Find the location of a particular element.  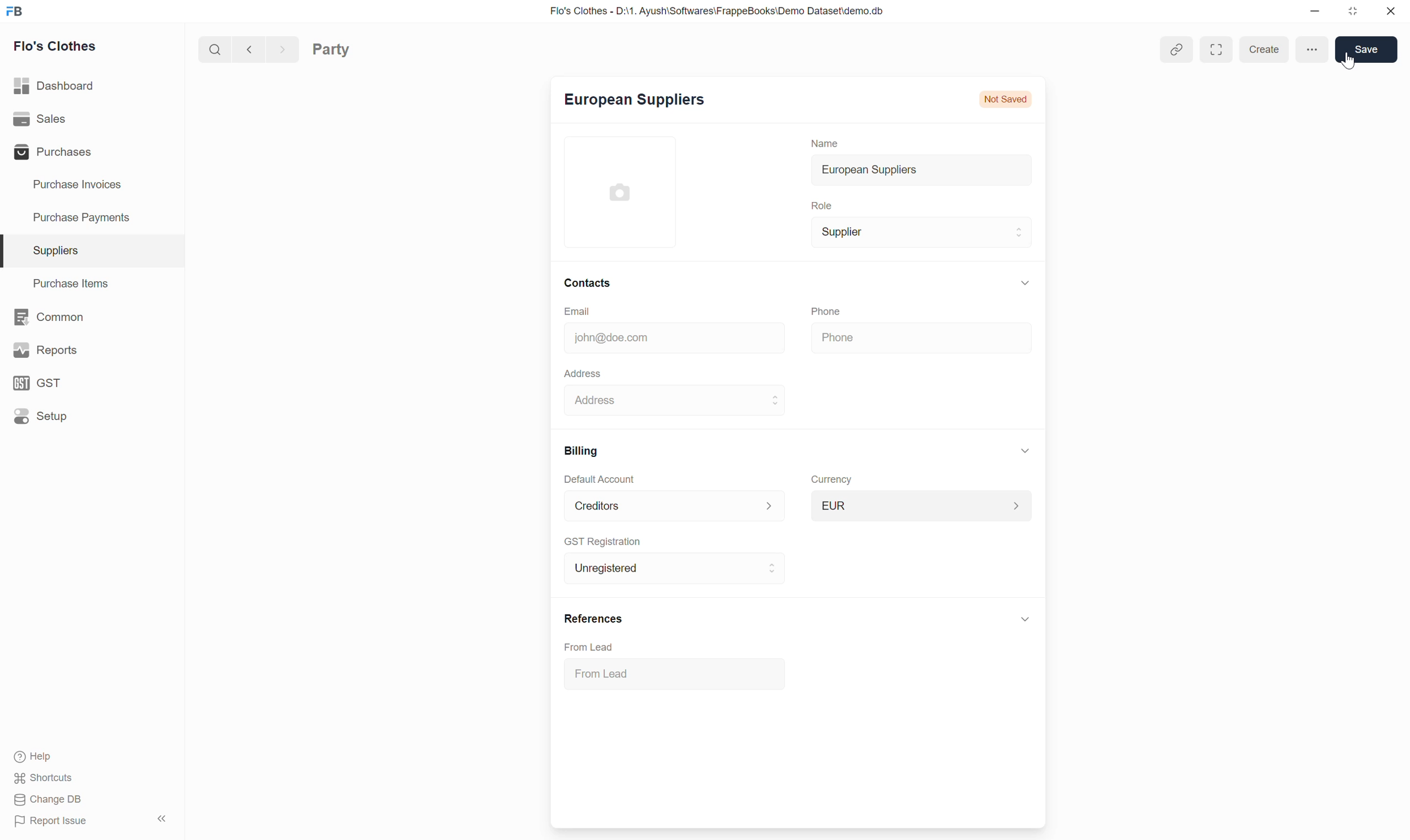

menu is located at coordinates (1314, 47).